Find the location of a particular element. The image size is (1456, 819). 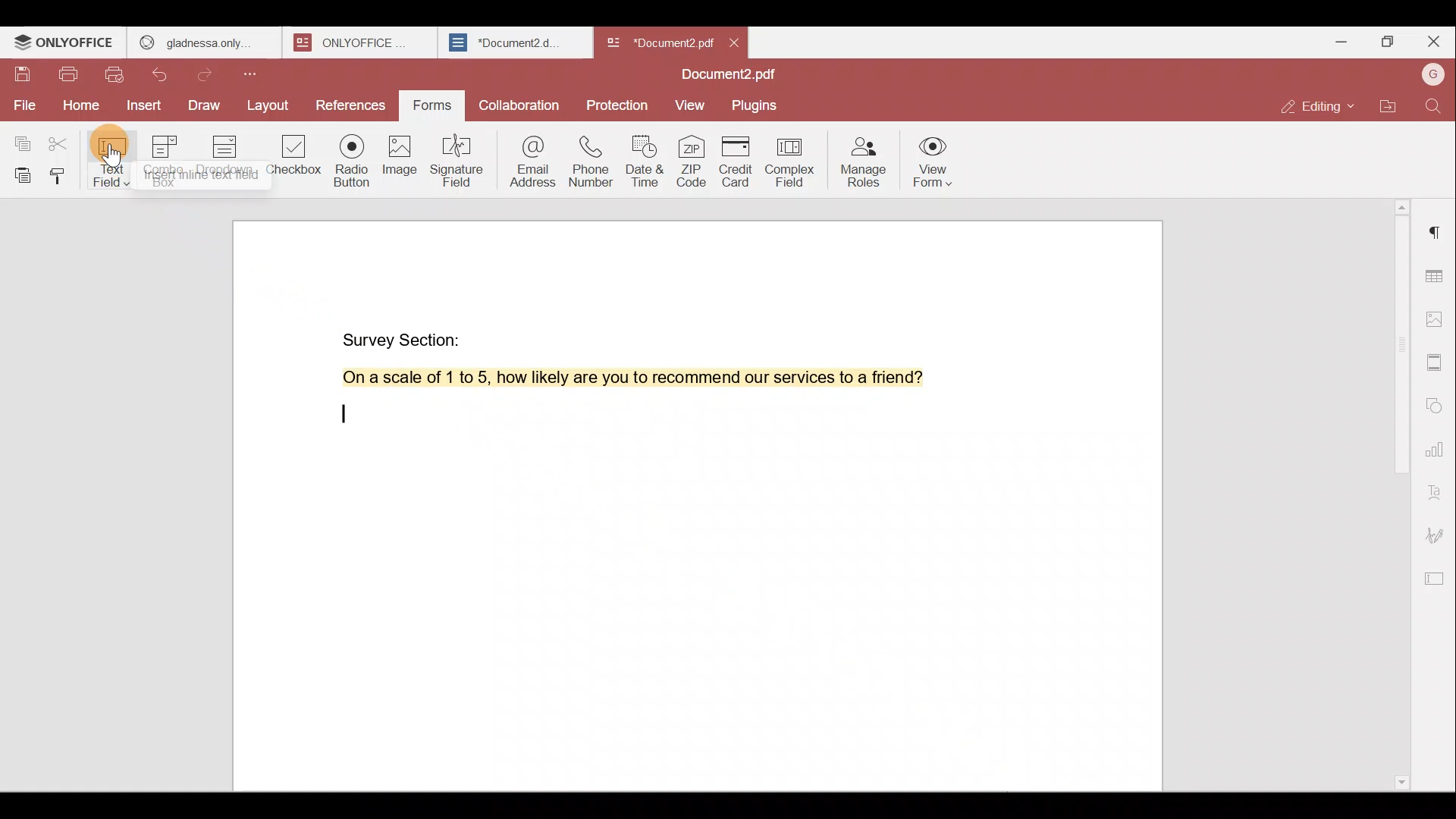

References is located at coordinates (352, 107).